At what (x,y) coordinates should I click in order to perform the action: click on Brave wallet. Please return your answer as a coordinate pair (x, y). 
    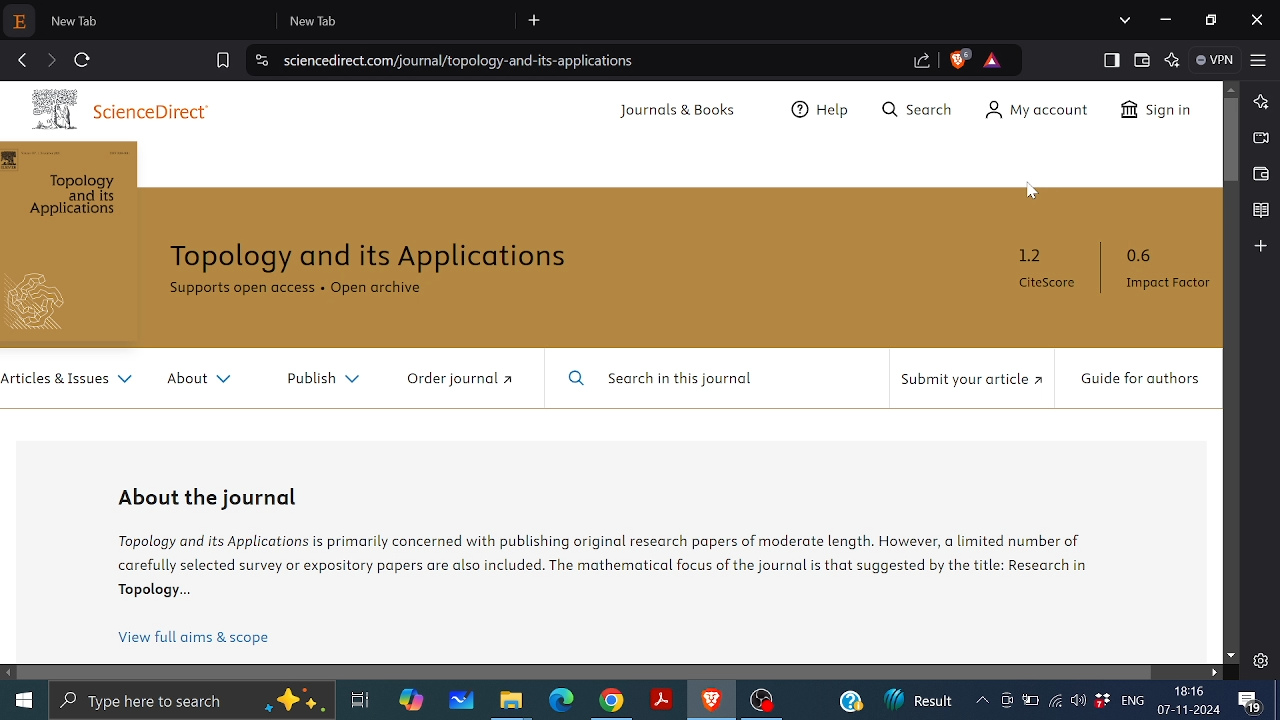
    Looking at the image, I should click on (1141, 60).